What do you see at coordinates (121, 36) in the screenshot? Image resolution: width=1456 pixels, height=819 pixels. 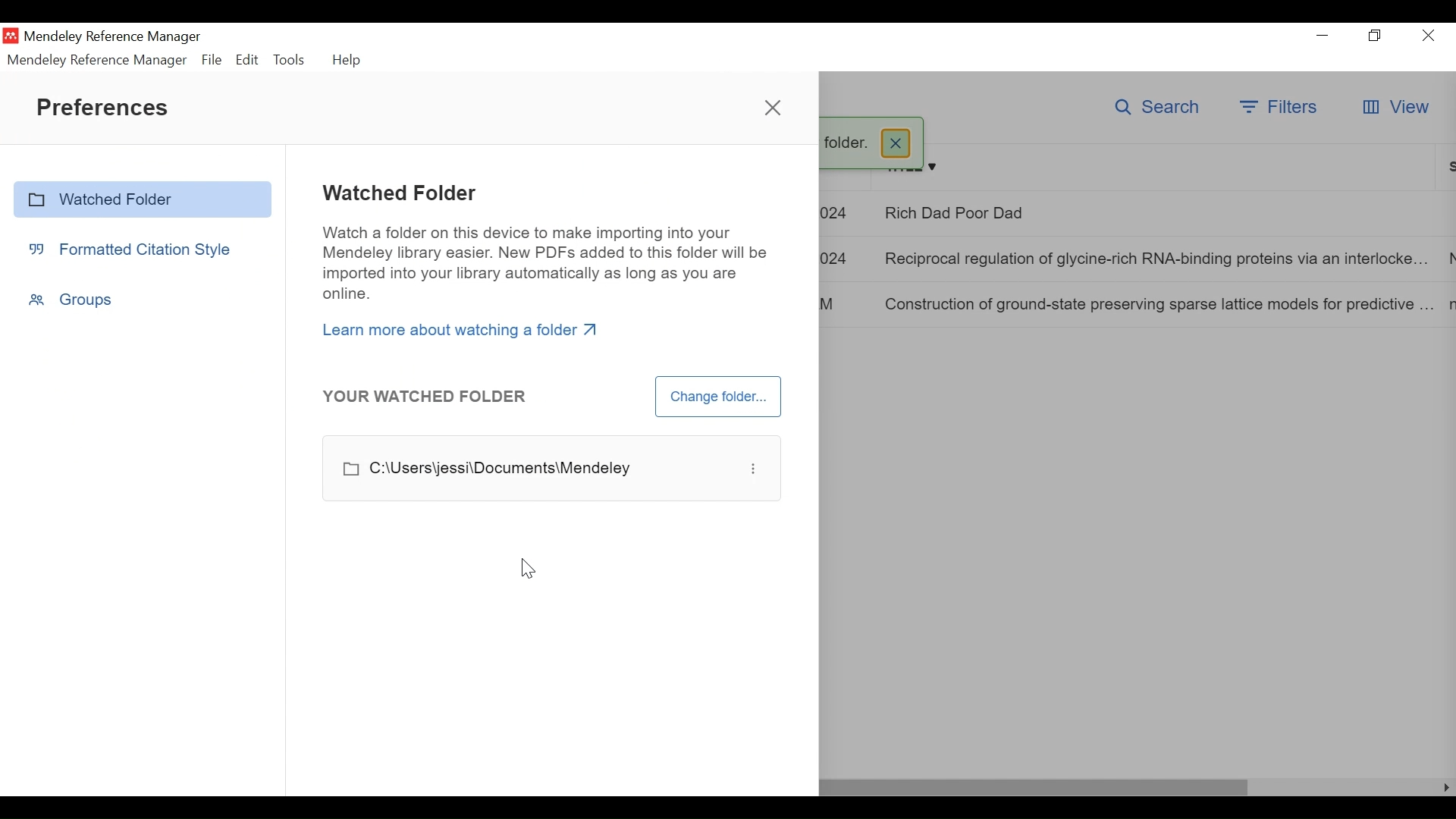 I see `Mendeley Reference Manager` at bounding box center [121, 36].